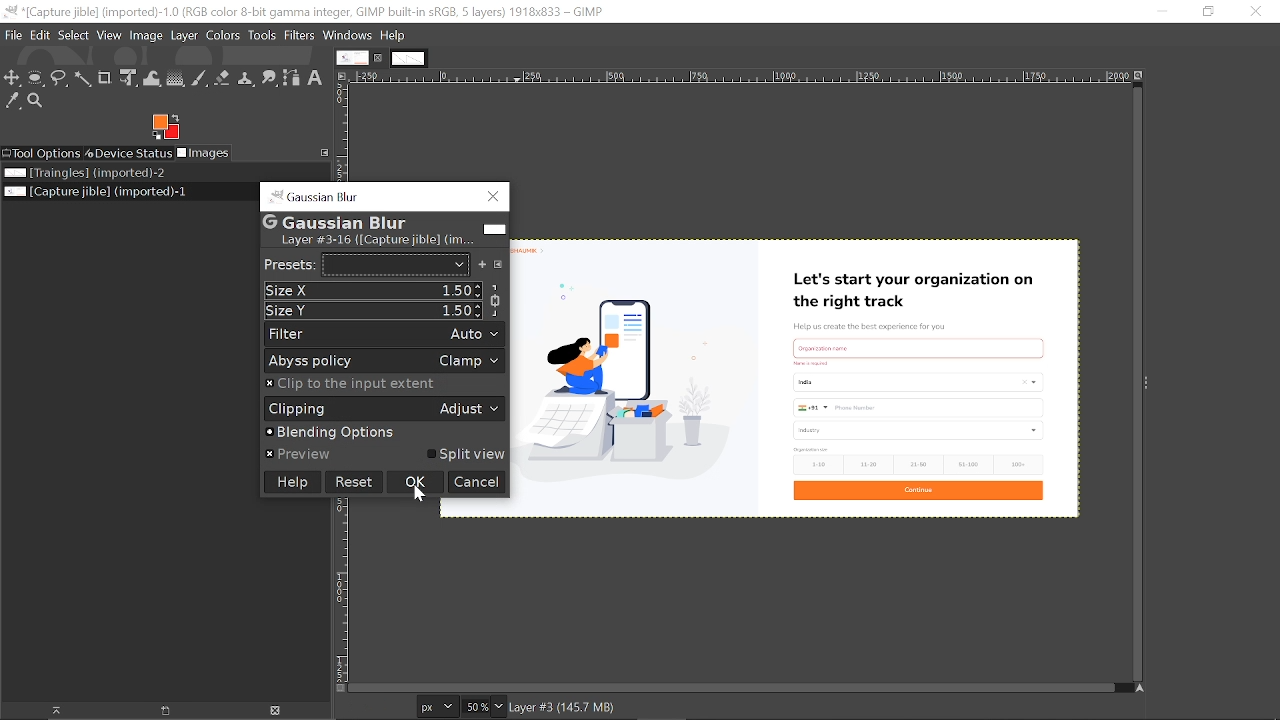 This screenshot has width=1280, height=720. What do you see at coordinates (129, 80) in the screenshot?
I see `Unified transform tool` at bounding box center [129, 80].